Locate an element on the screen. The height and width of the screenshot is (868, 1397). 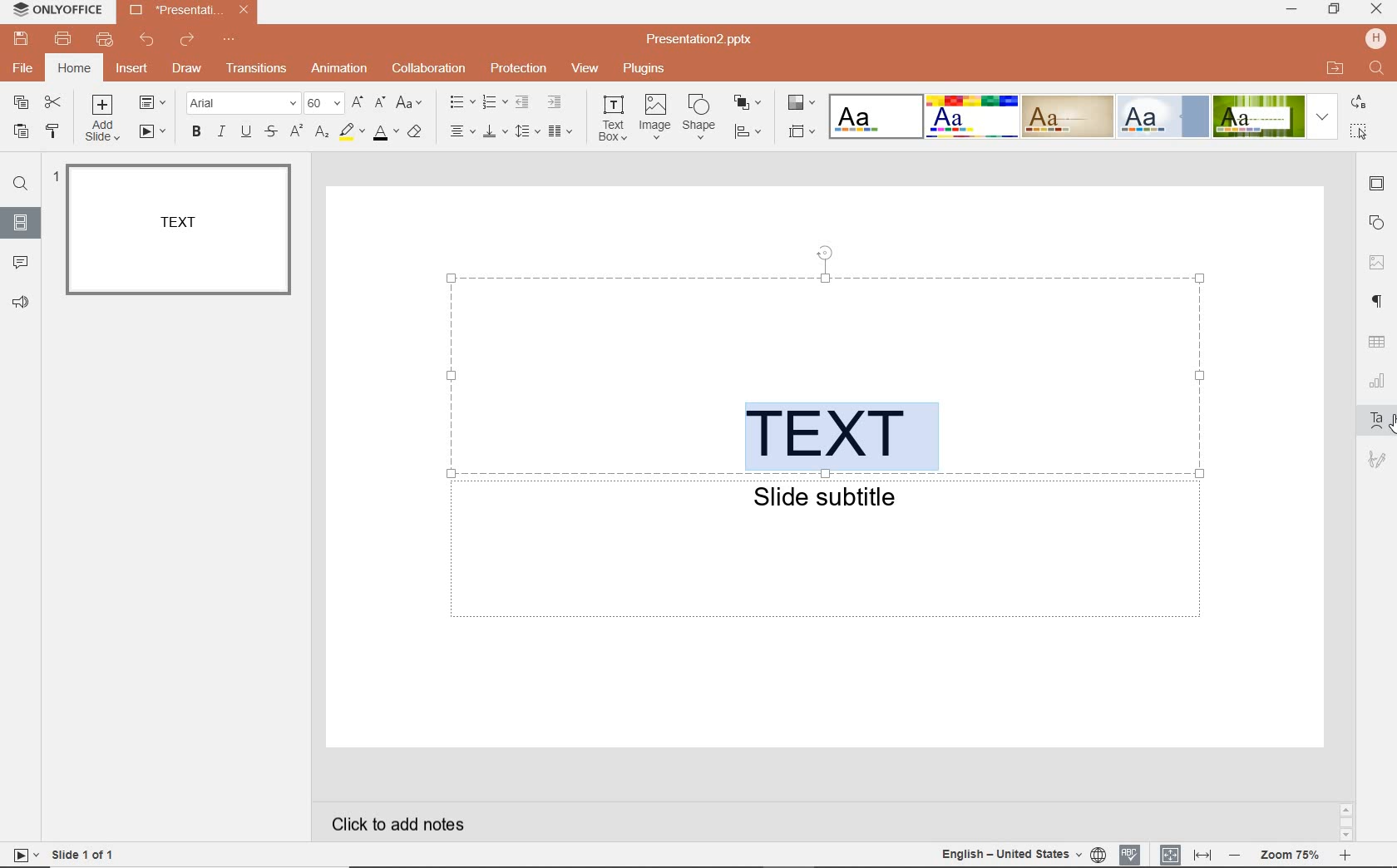
UNDERLINE is located at coordinates (246, 131).